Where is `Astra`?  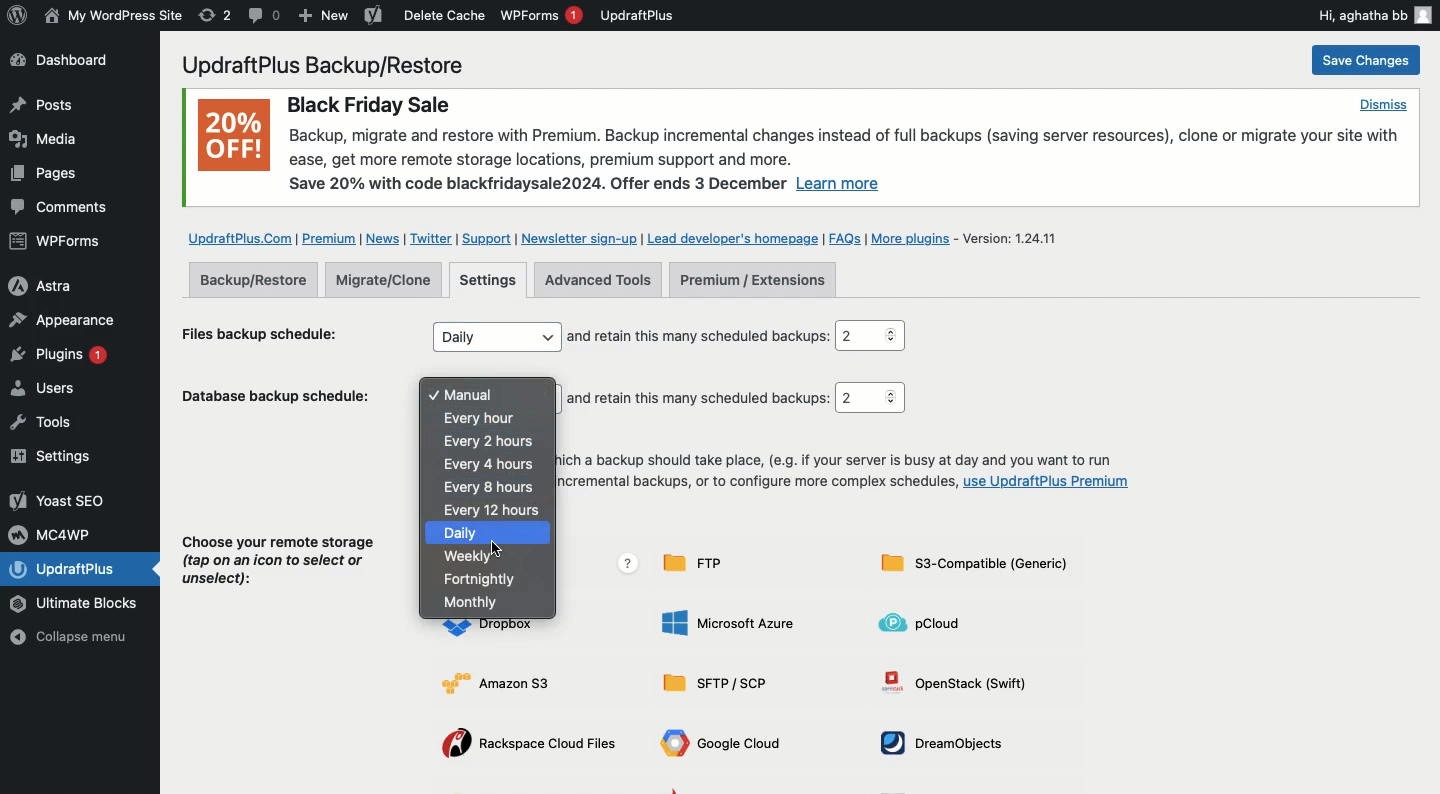
Astra is located at coordinates (57, 284).